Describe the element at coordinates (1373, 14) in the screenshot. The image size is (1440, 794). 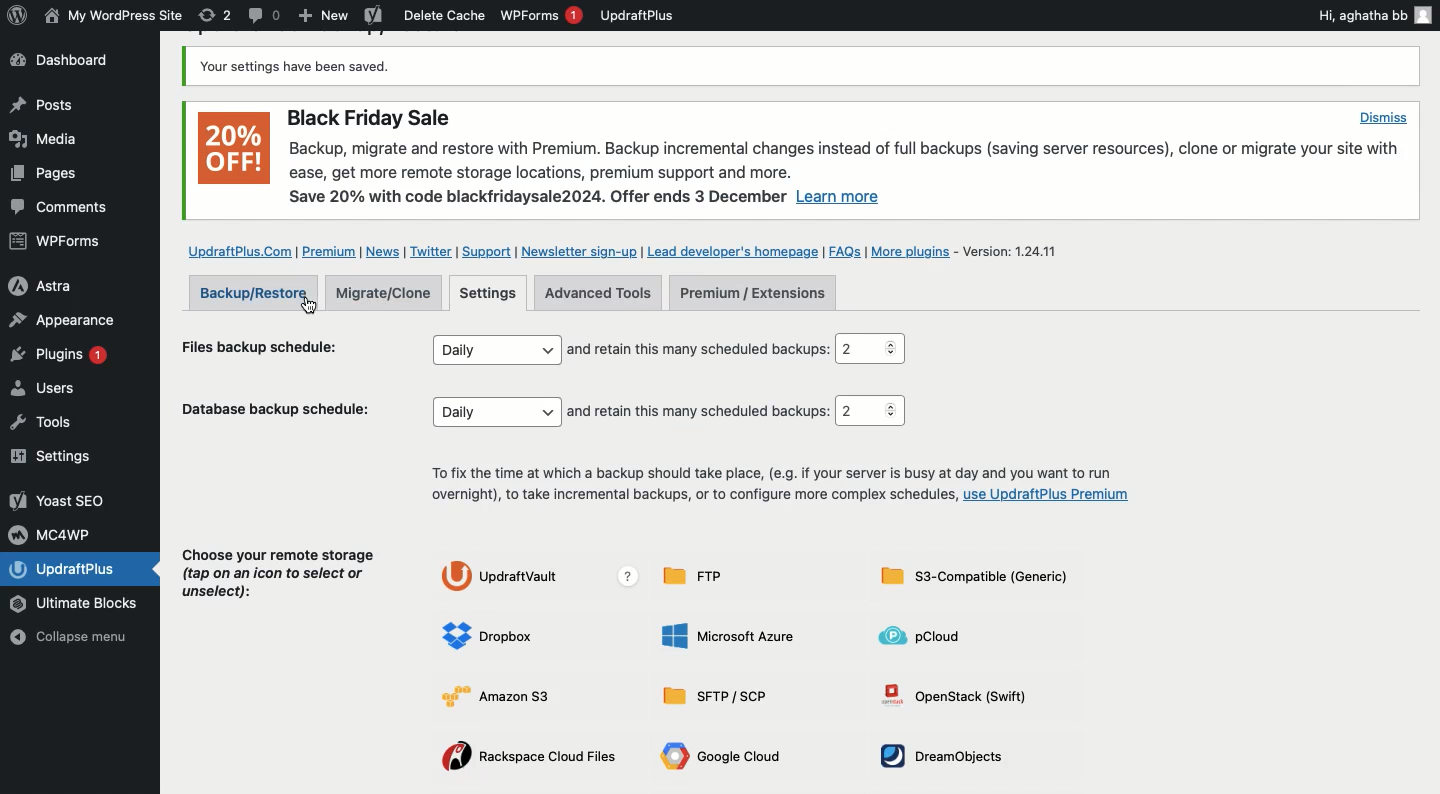
I see `Hi, aghatha bb` at that location.